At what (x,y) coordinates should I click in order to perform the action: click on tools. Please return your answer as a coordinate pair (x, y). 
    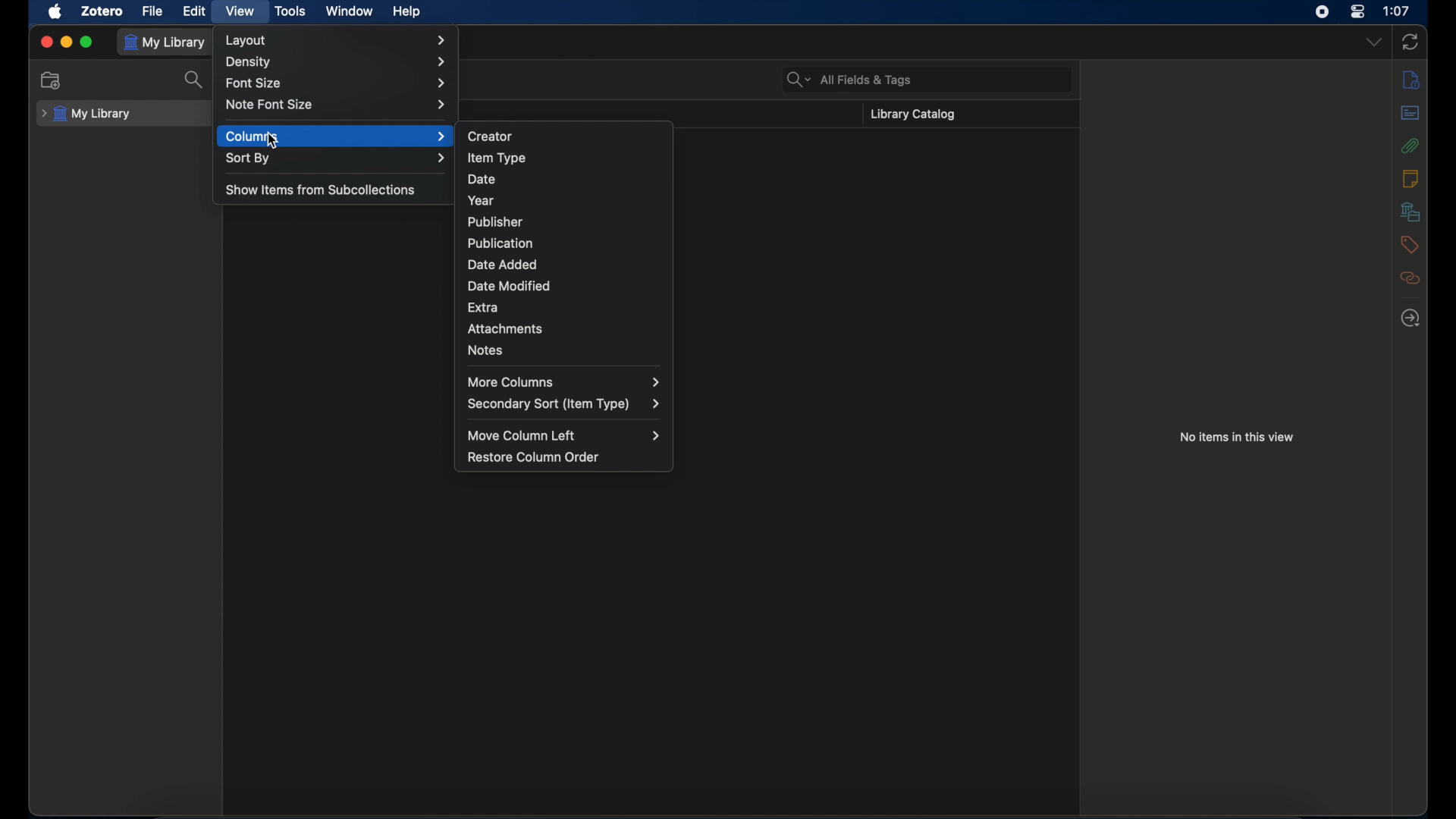
    Looking at the image, I should click on (290, 11).